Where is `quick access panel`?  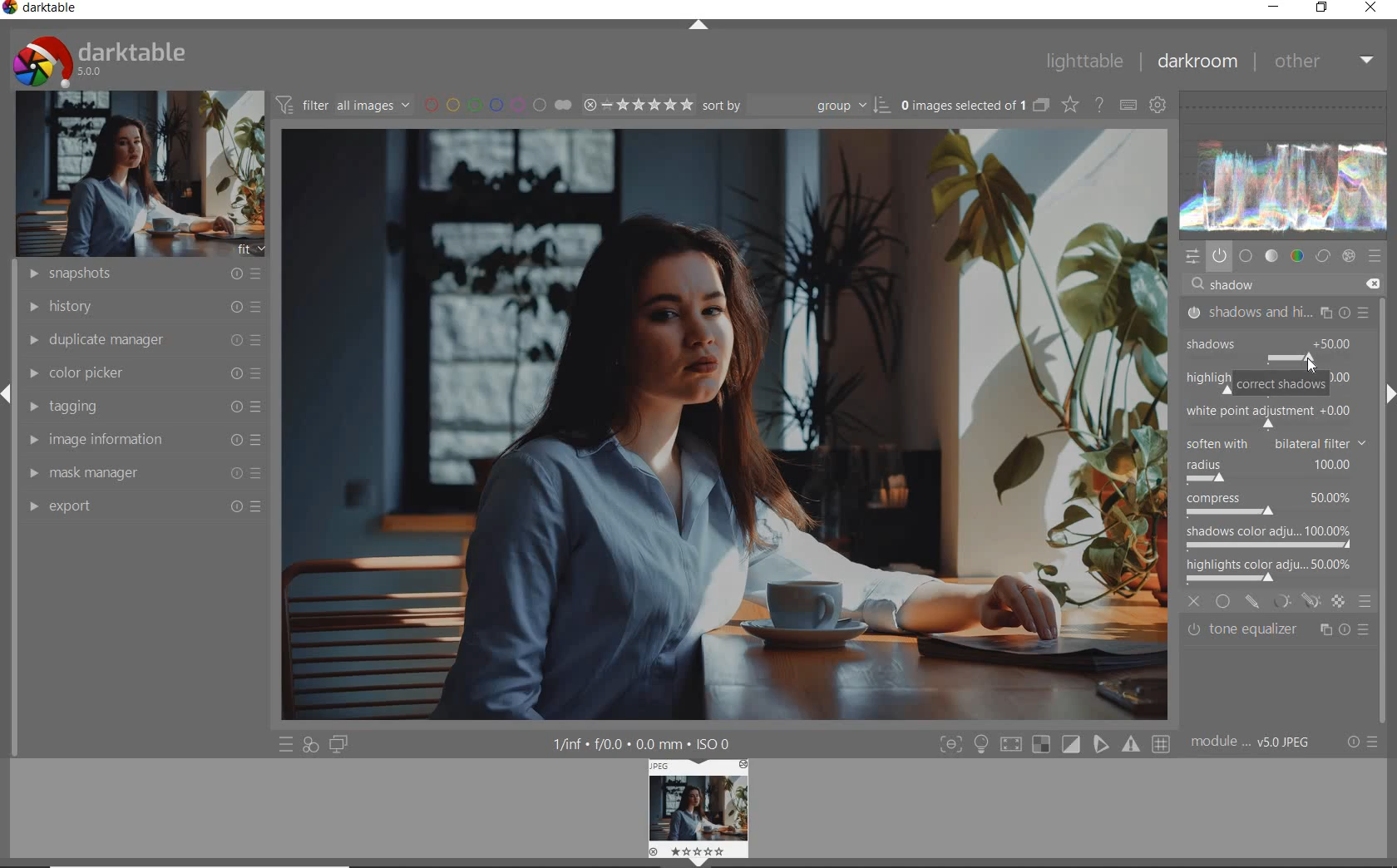
quick access panel is located at coordinates (1194, 258).